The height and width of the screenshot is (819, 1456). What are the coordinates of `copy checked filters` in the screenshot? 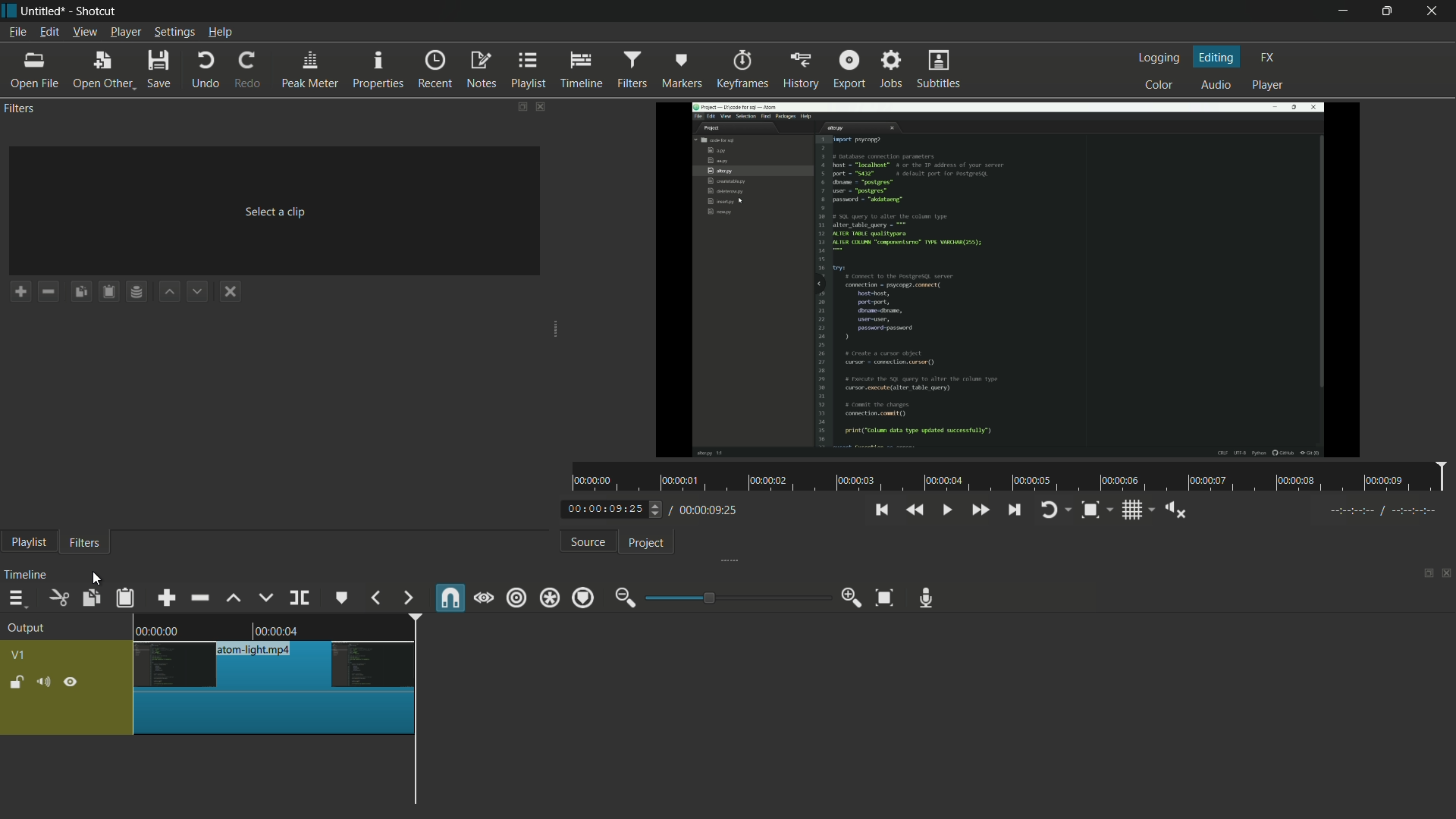 It's located at (84, 290).